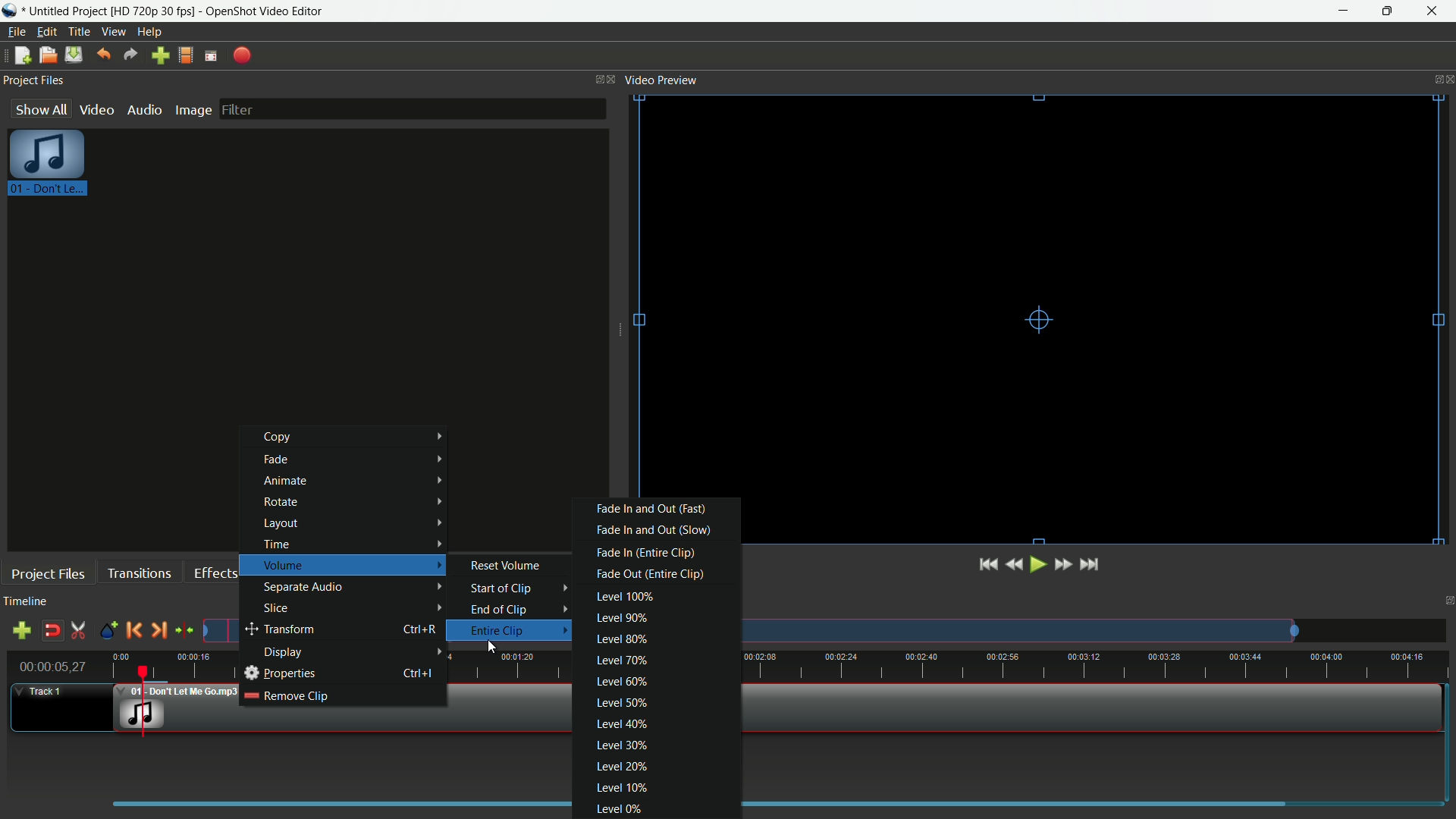 The image size is (1456, 819). I want to click on copy, so click(359, 437).